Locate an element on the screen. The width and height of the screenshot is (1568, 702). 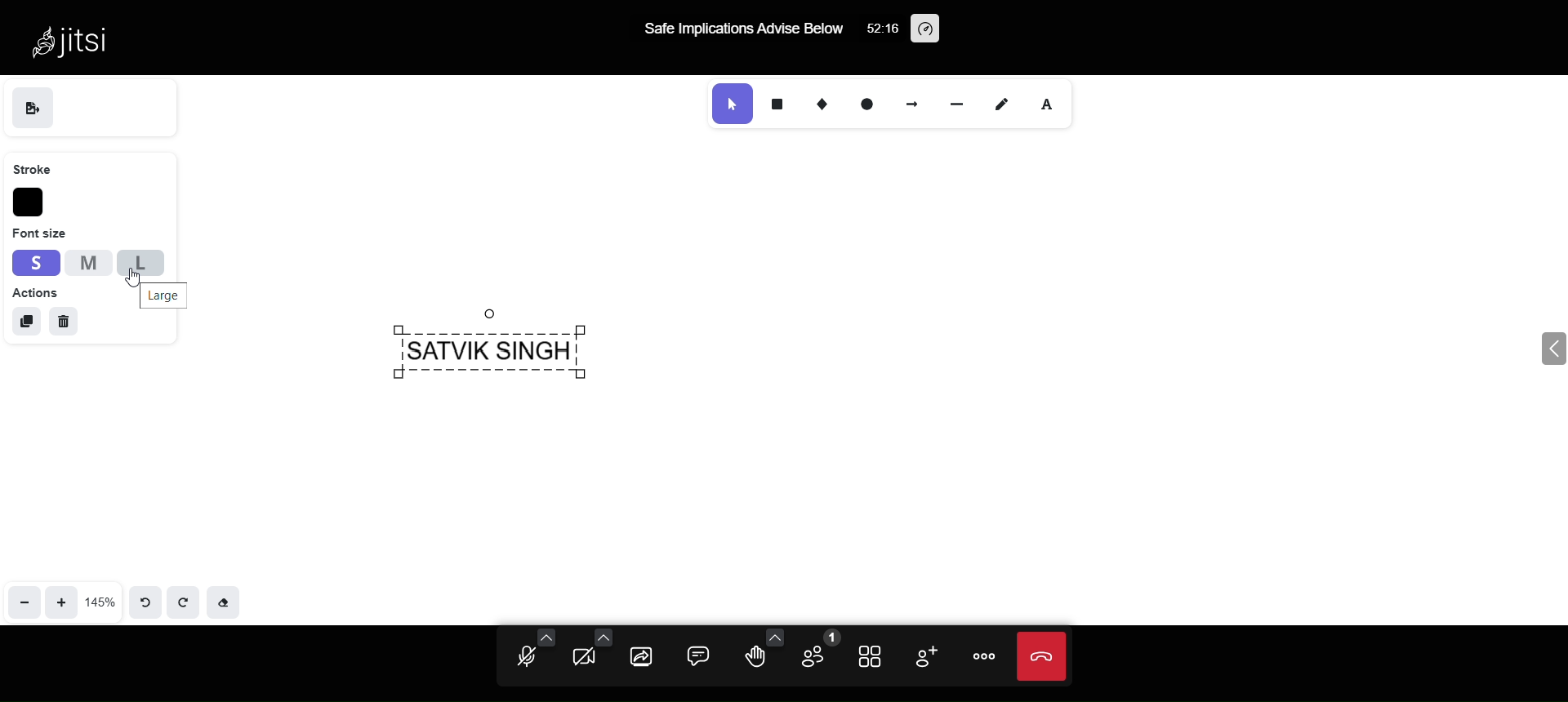
font is located at coordinates (1057, 104).